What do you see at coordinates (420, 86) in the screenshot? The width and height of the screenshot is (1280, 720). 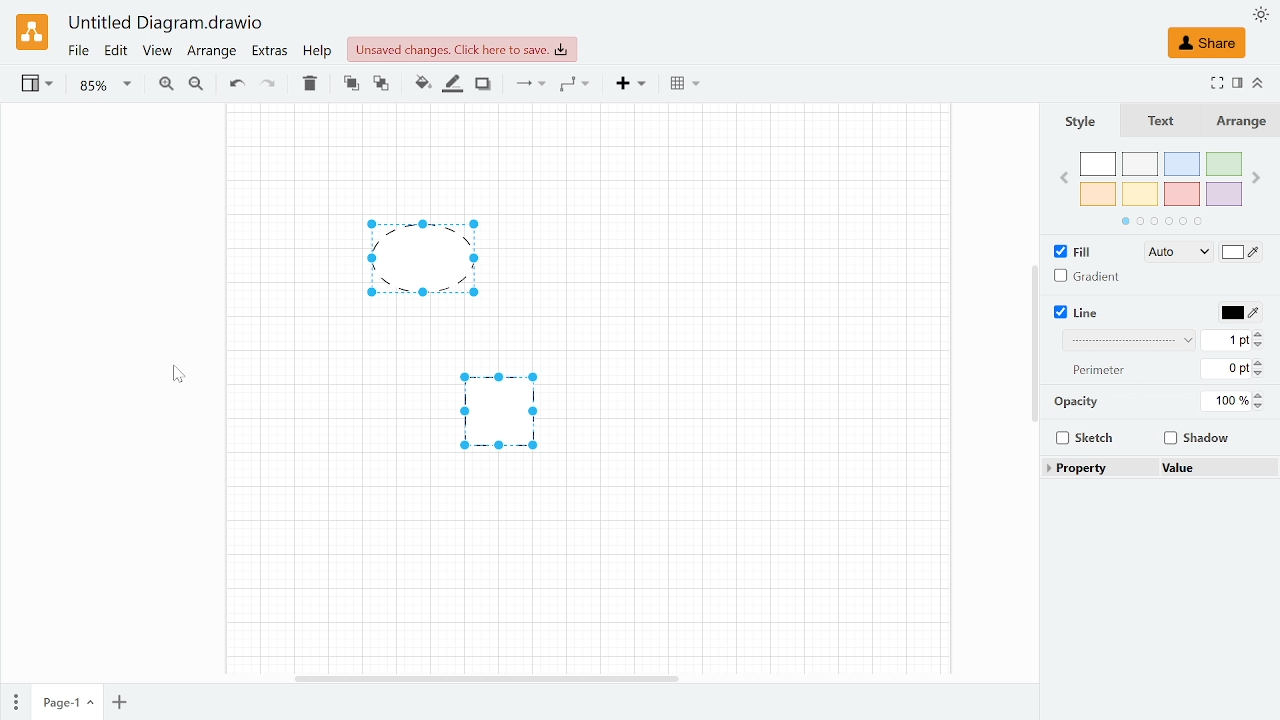 I see `Fill color` at bounding box center [420, 86].